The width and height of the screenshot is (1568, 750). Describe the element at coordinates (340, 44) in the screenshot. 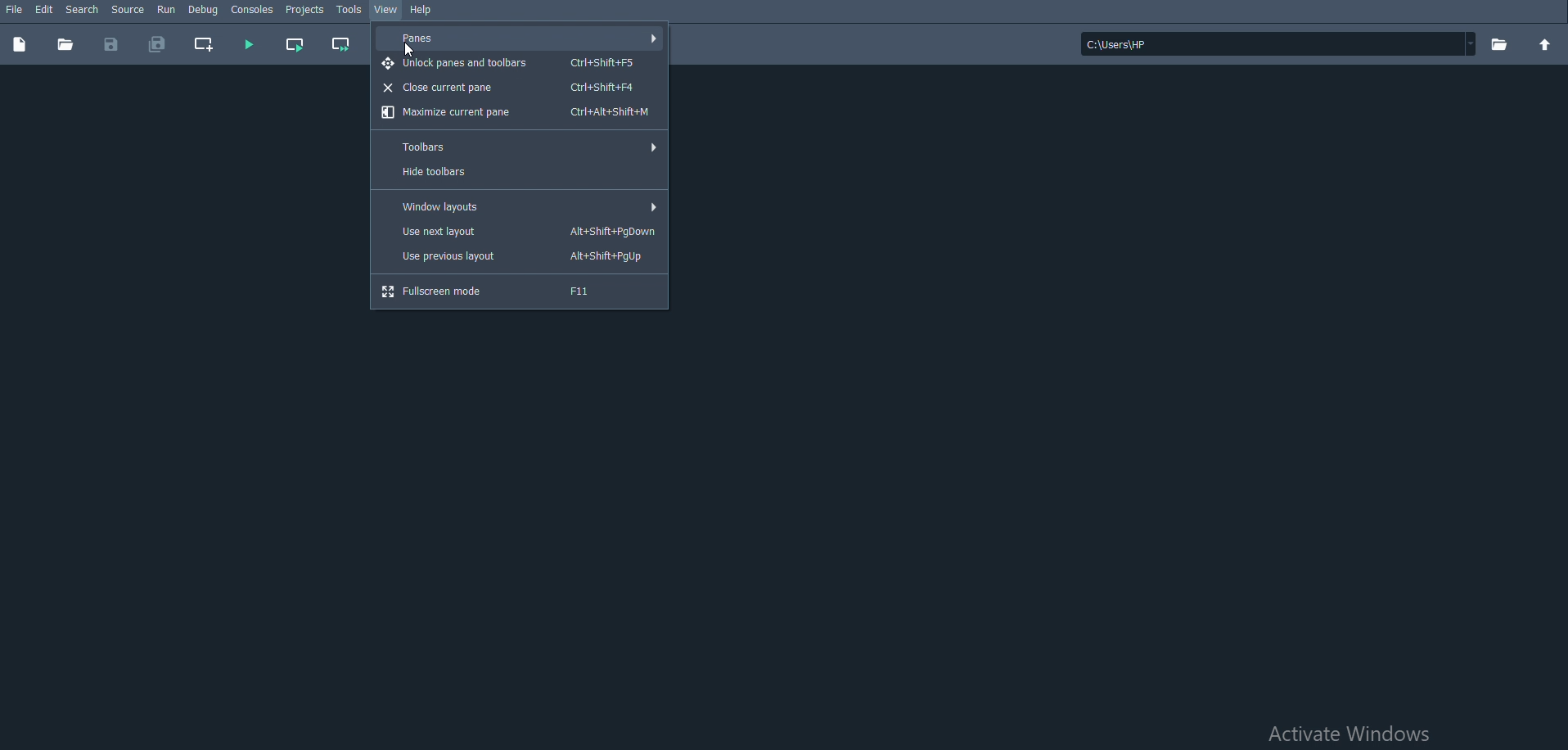

I see `Run current cell and go to the next one` at that location.